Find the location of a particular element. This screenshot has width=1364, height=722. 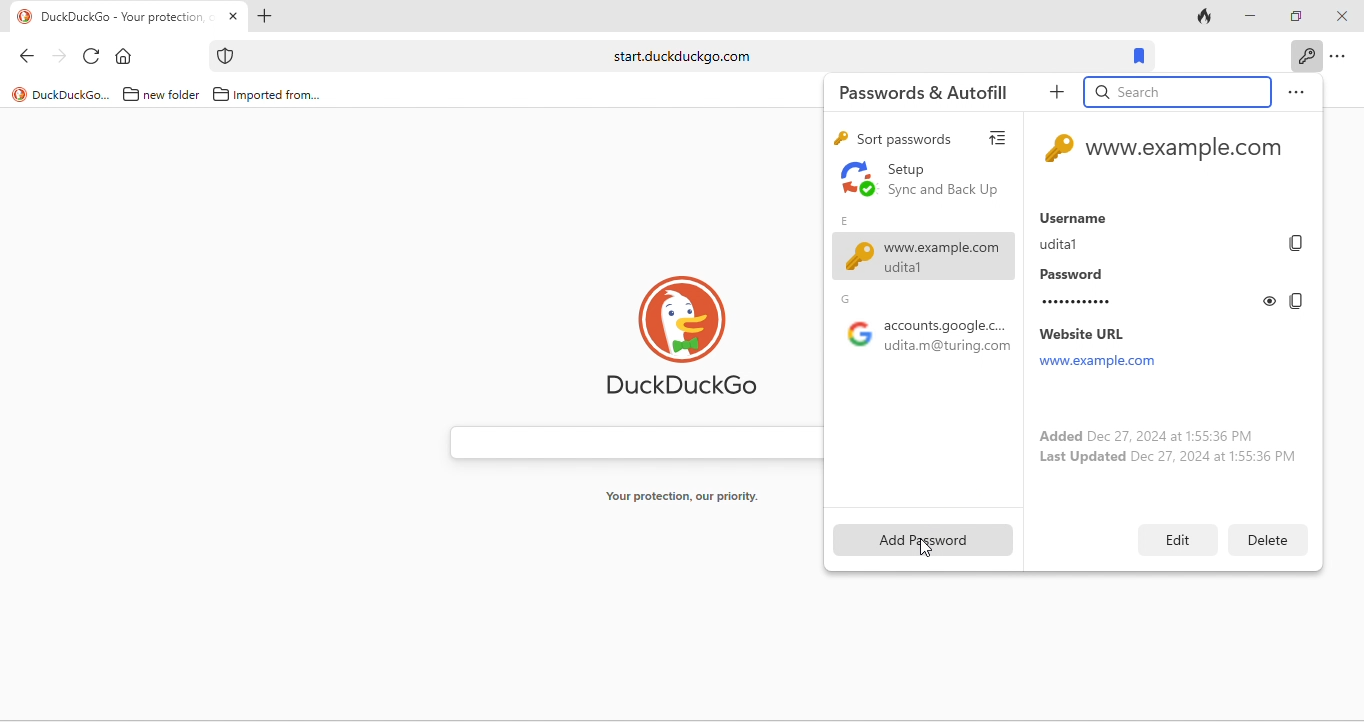

your protection, our priority. is located at coordinates (683, 497).